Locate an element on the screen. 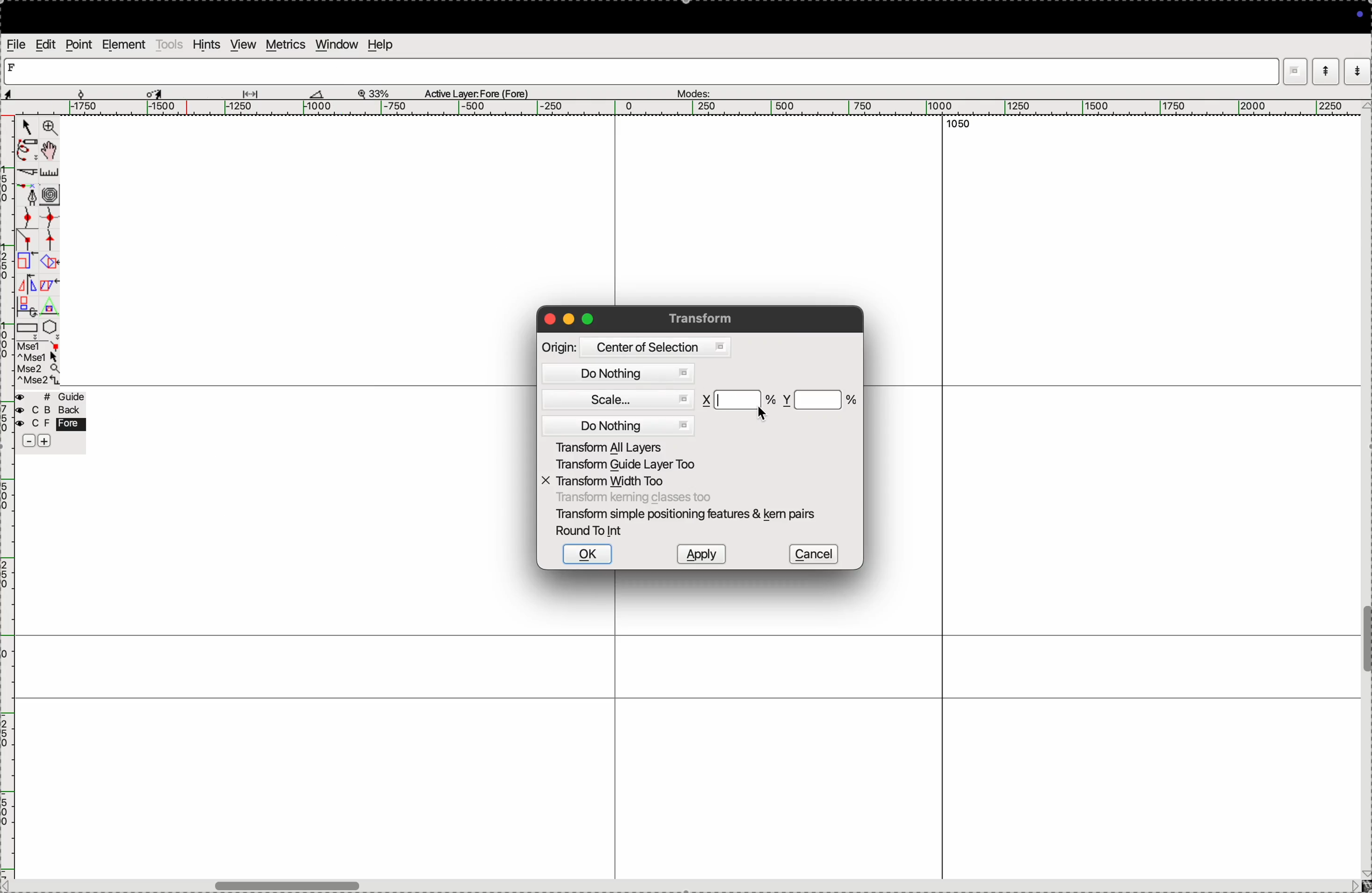  closing is located at coordinates (549, 319).